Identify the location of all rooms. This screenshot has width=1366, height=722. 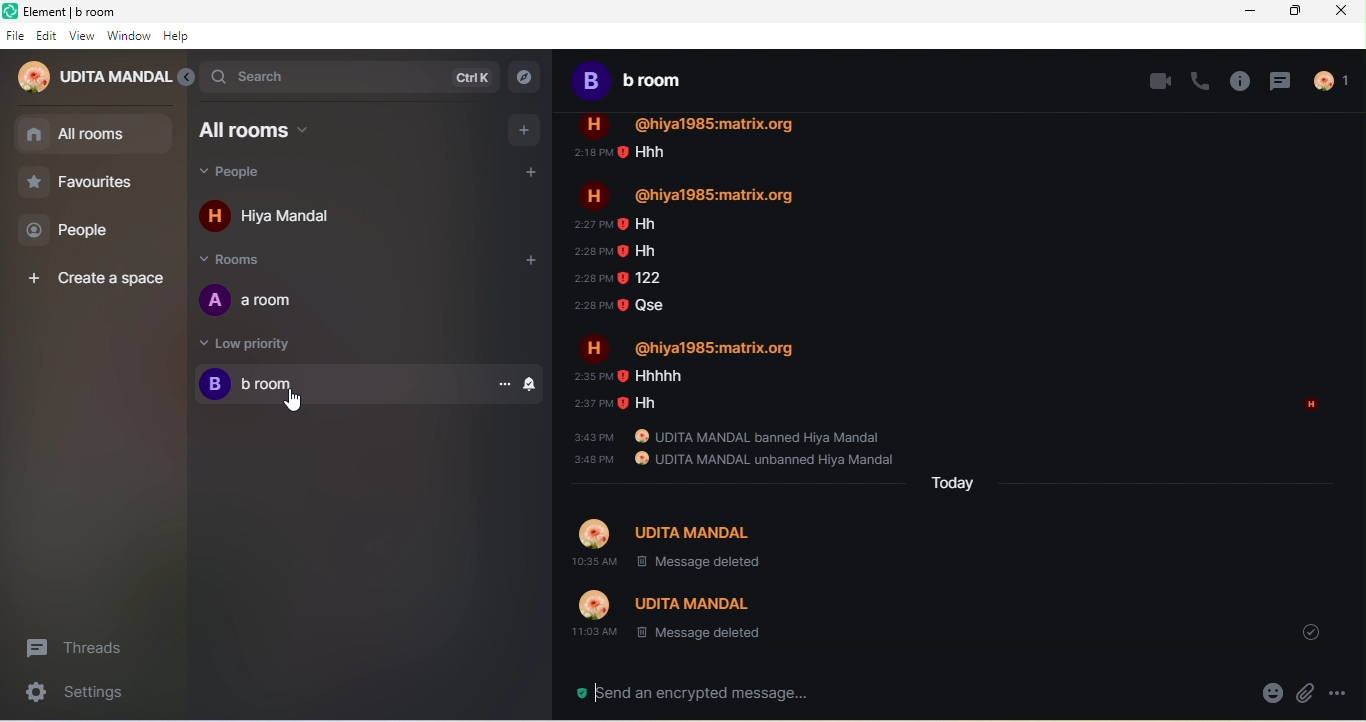
(266, 130).